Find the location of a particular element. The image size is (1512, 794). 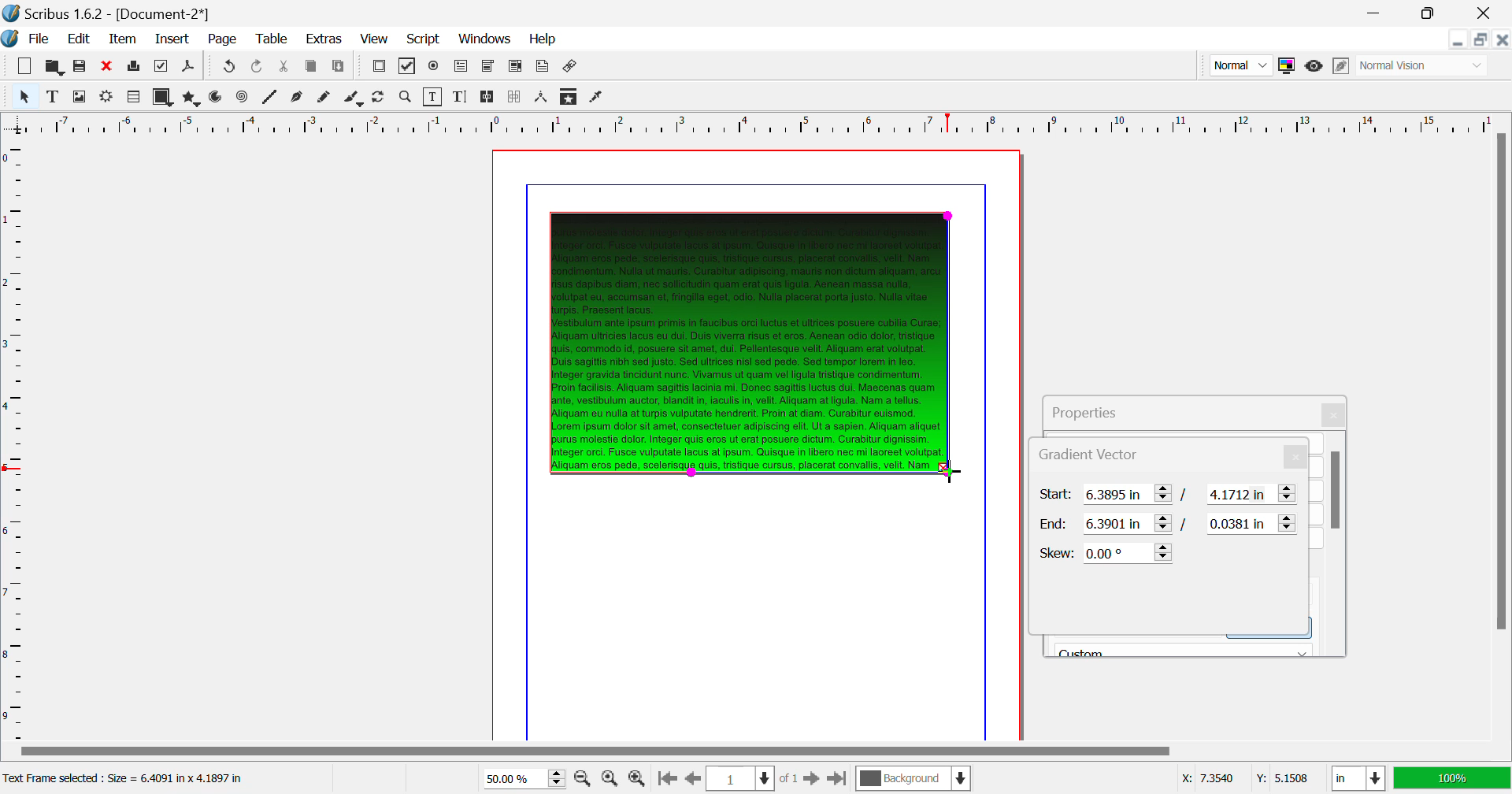

Skew is located at coordinates (1107, 552).